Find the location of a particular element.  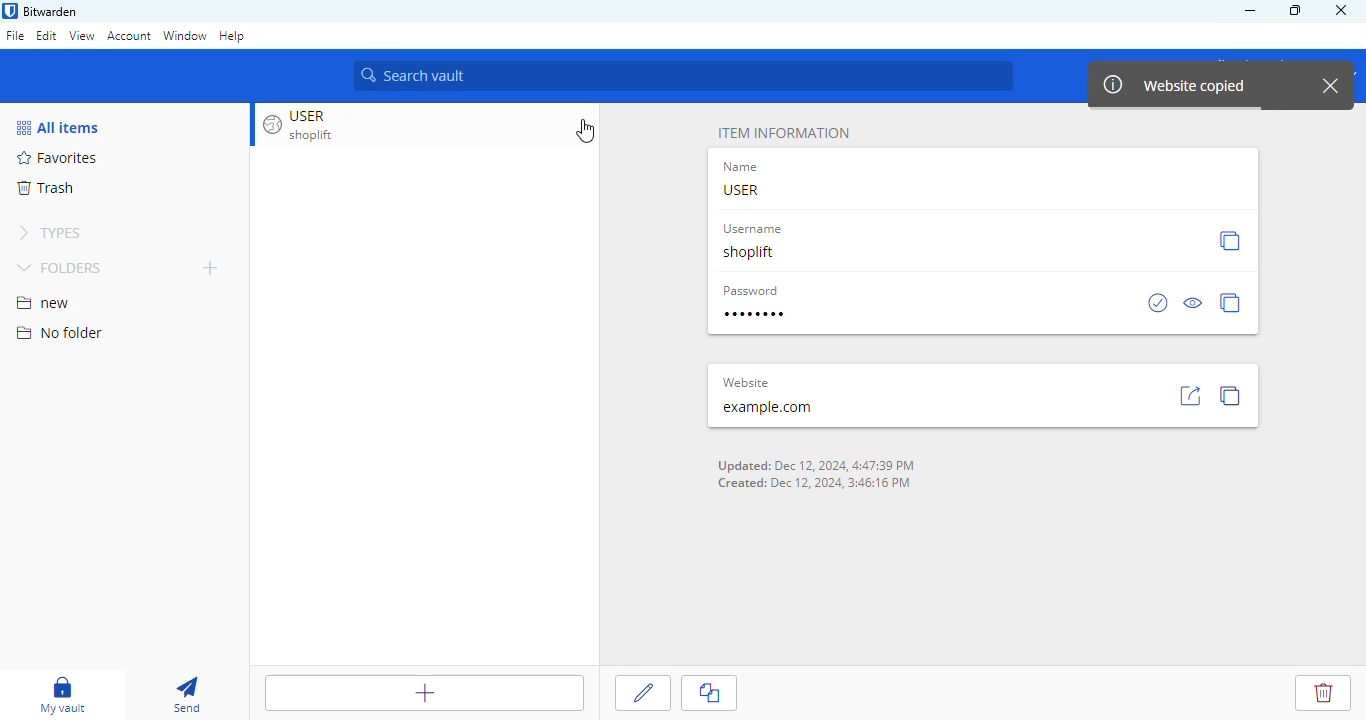

all items is located at coordinates (58, 127).